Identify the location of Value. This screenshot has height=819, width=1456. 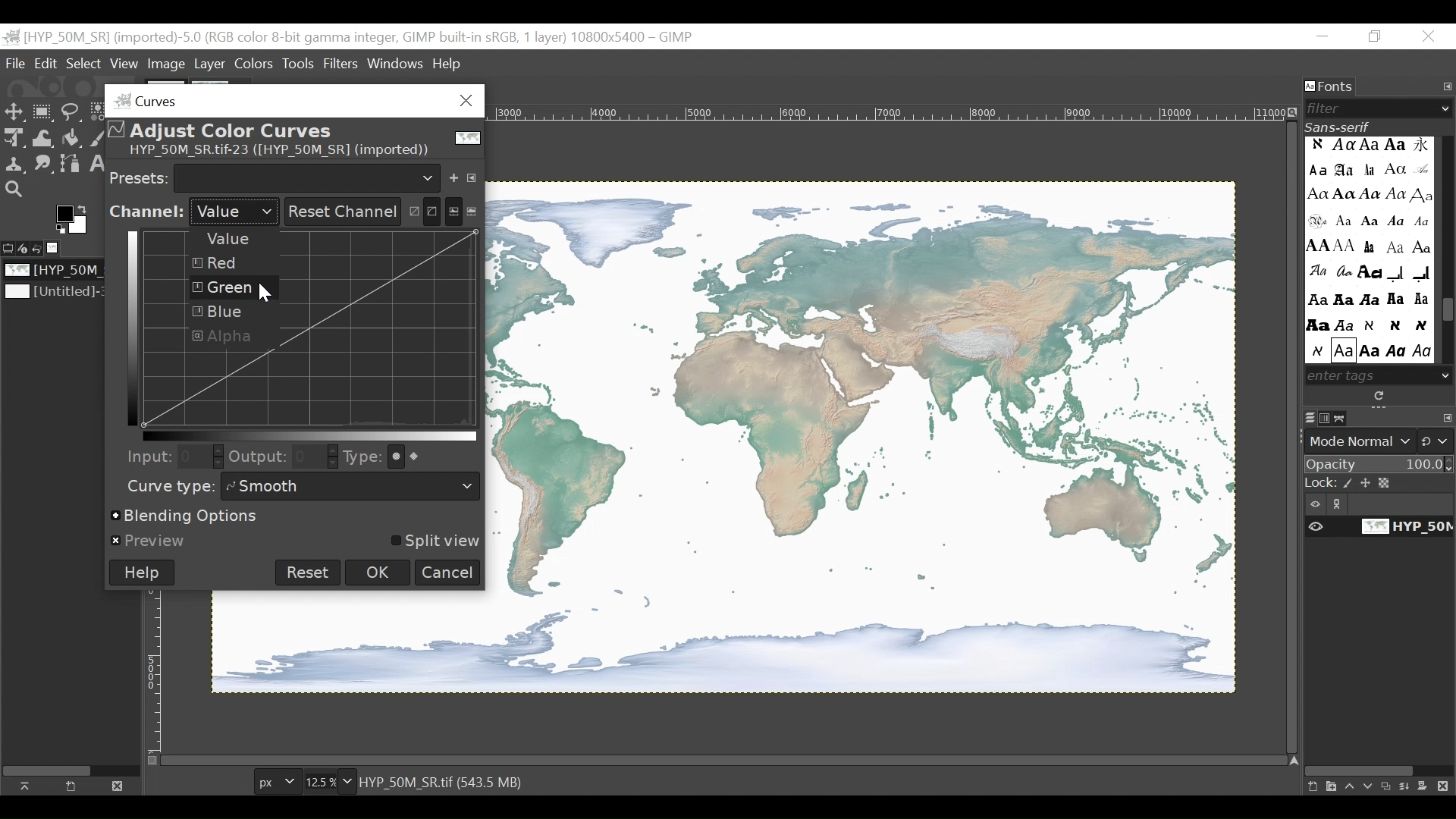
(225, 239).